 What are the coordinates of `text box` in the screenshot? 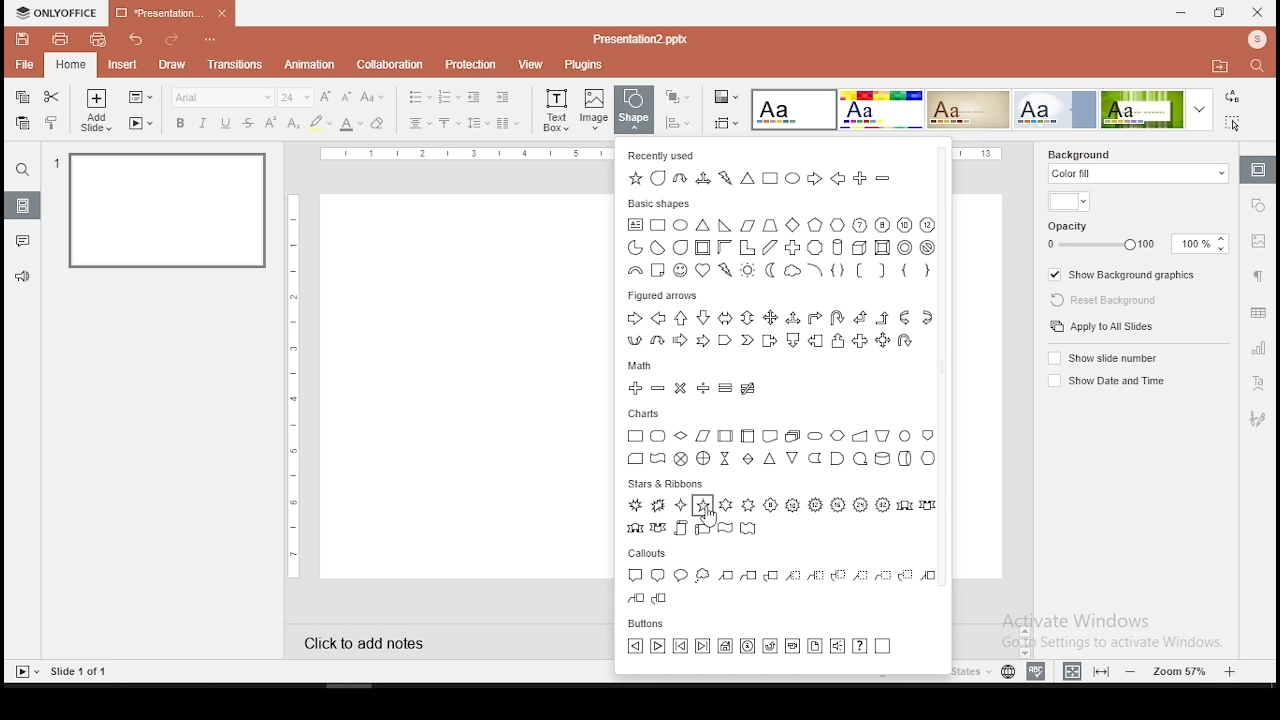 It's located at (555, 109).